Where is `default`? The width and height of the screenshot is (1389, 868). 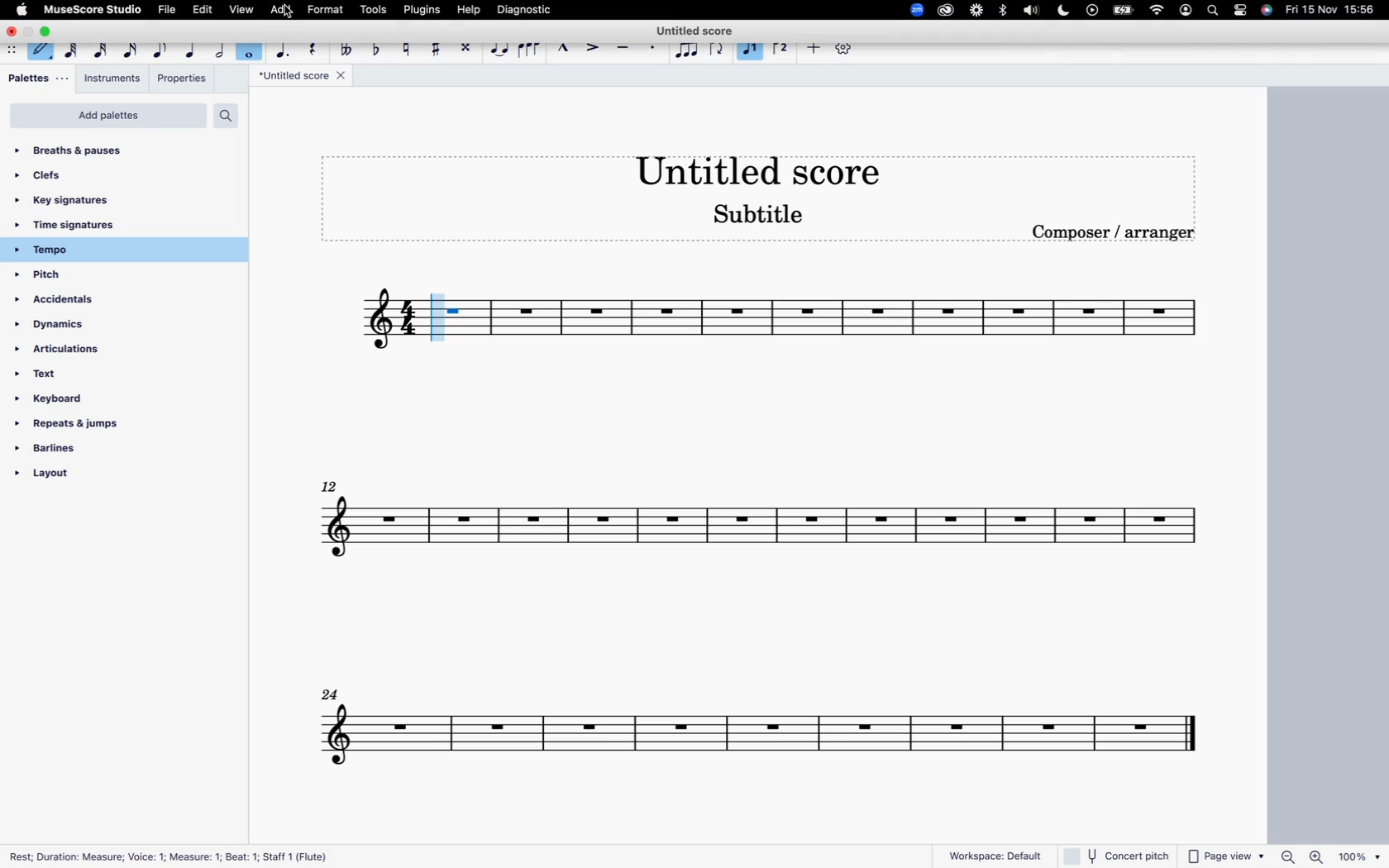
default is located at coordinates (41, 52).